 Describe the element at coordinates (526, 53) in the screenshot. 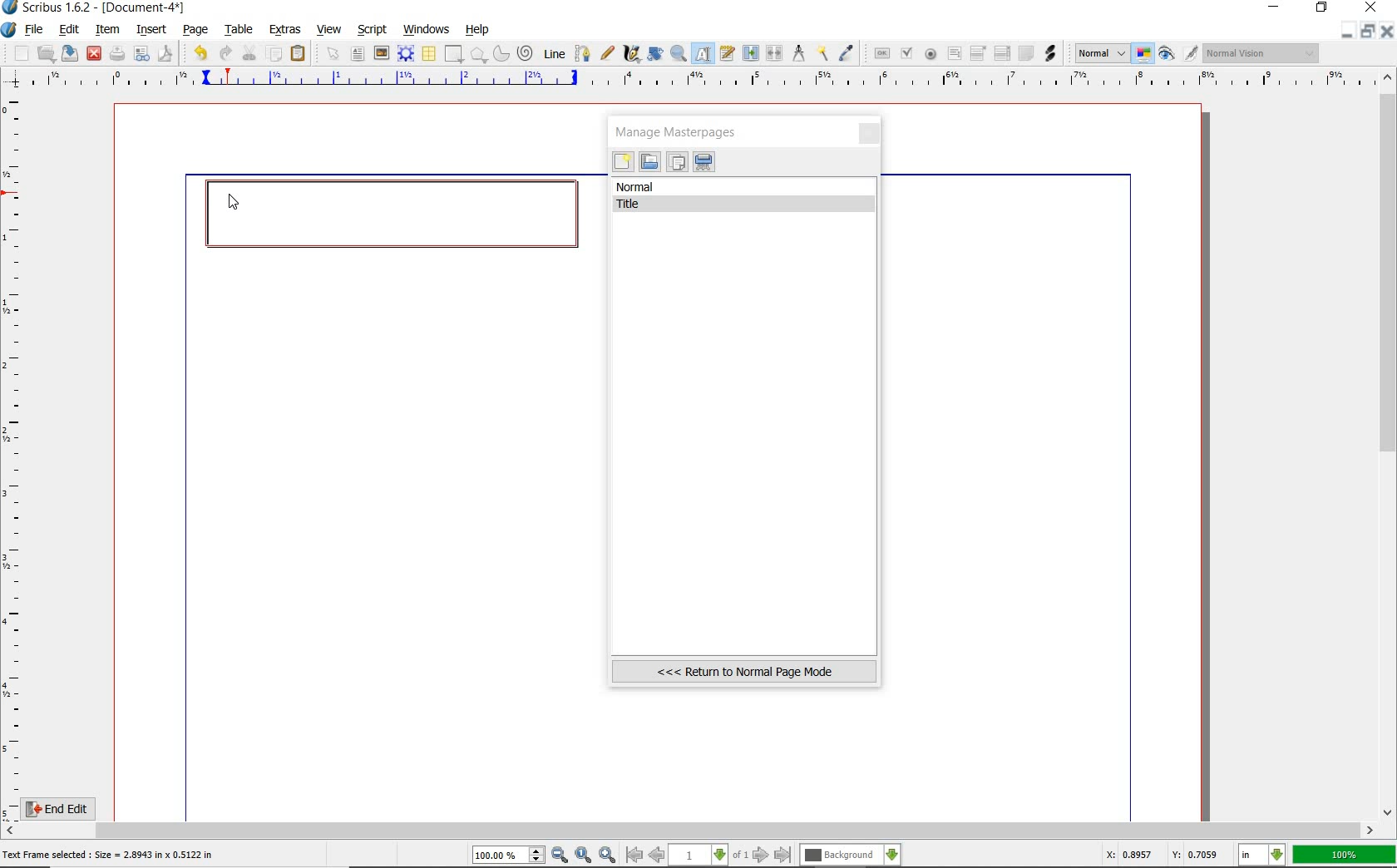

I see `spiral` at that location.